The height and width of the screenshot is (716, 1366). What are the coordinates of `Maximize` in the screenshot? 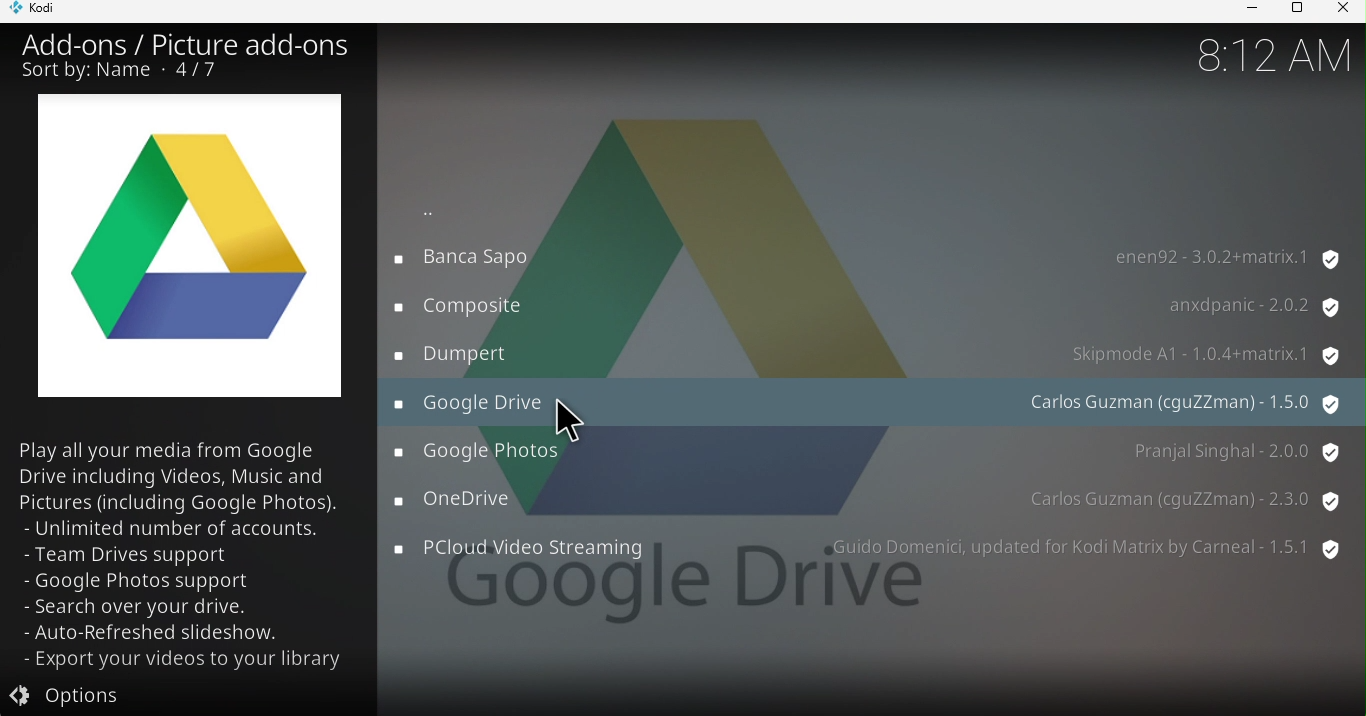 It's located at (1293, 11).